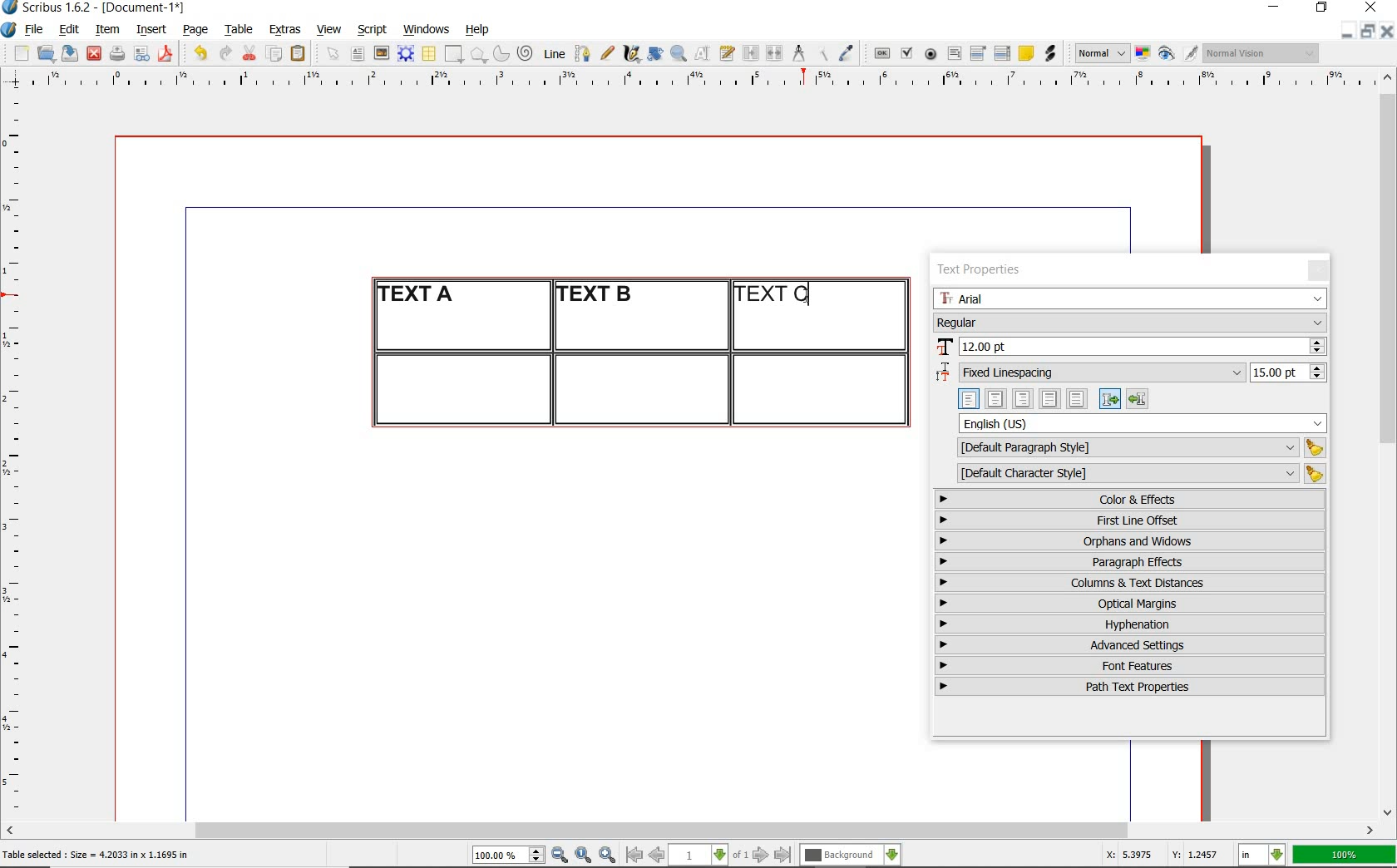 The height and width of the screenshot is (868, 1397). I want to click on text properties, so click(985, 269).